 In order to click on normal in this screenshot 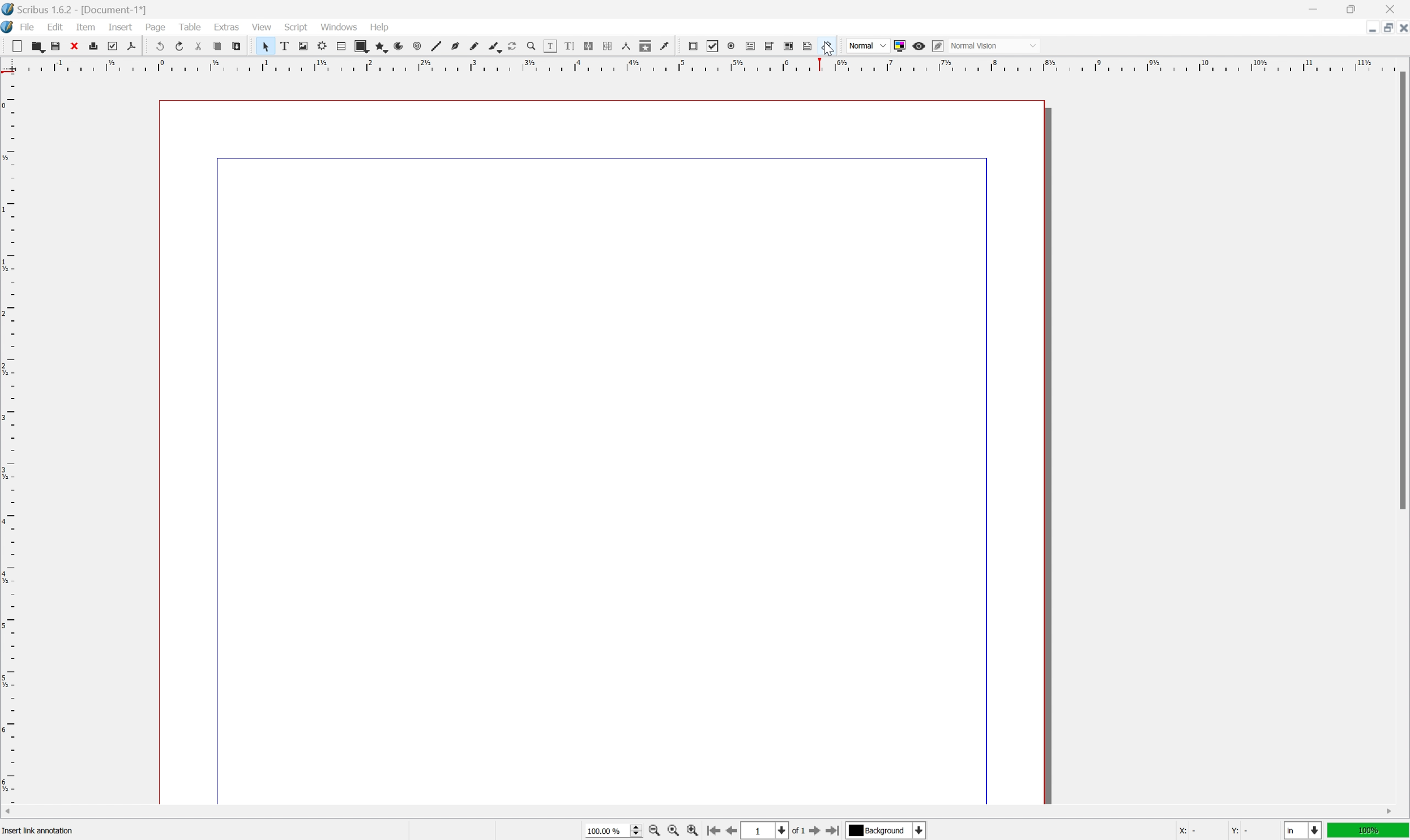, I will do `click(867, 44)`.